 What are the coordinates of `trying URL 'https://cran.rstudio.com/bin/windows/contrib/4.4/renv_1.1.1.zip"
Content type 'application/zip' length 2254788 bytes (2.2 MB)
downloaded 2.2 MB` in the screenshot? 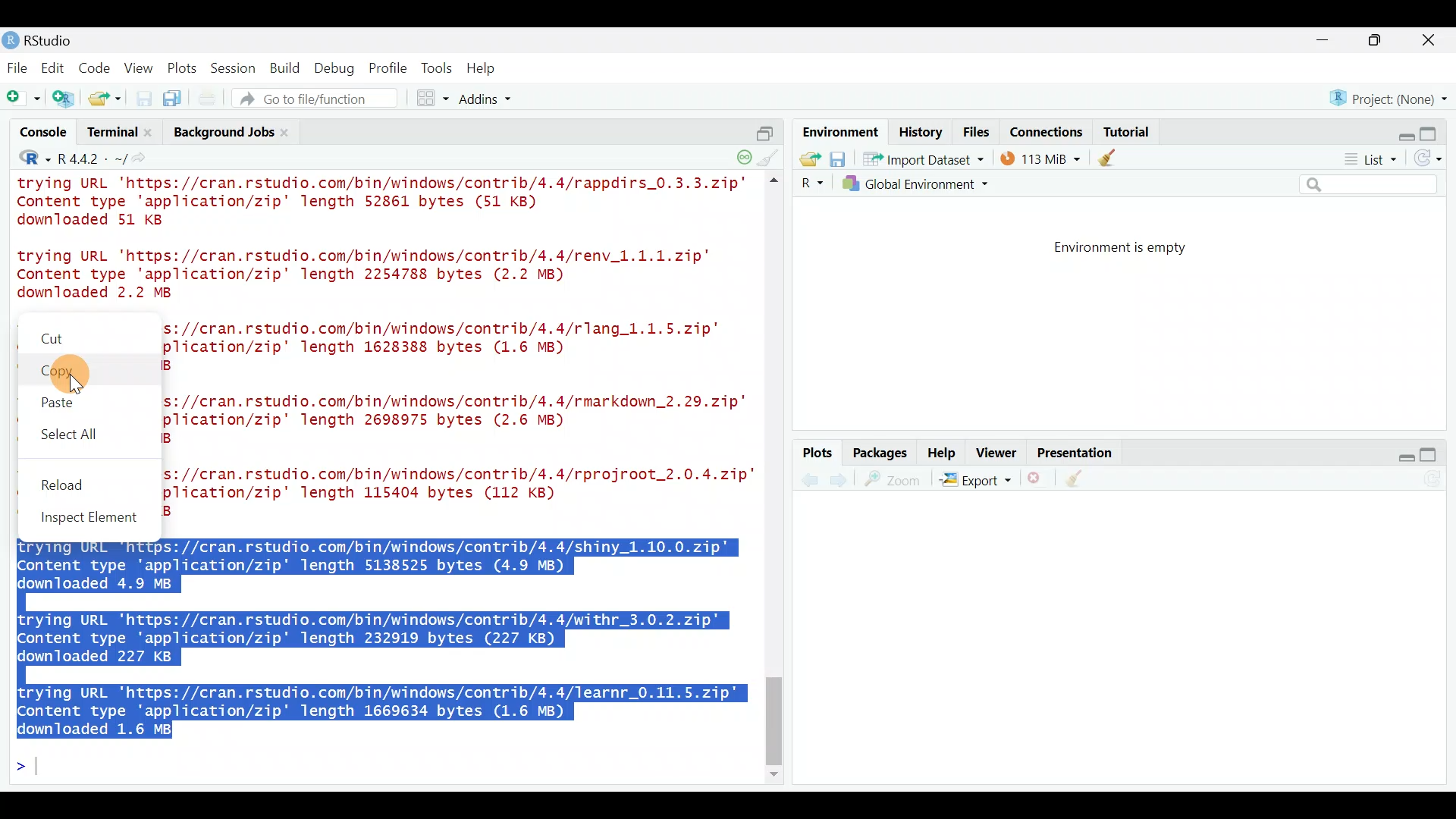 It's located at (383, 275).